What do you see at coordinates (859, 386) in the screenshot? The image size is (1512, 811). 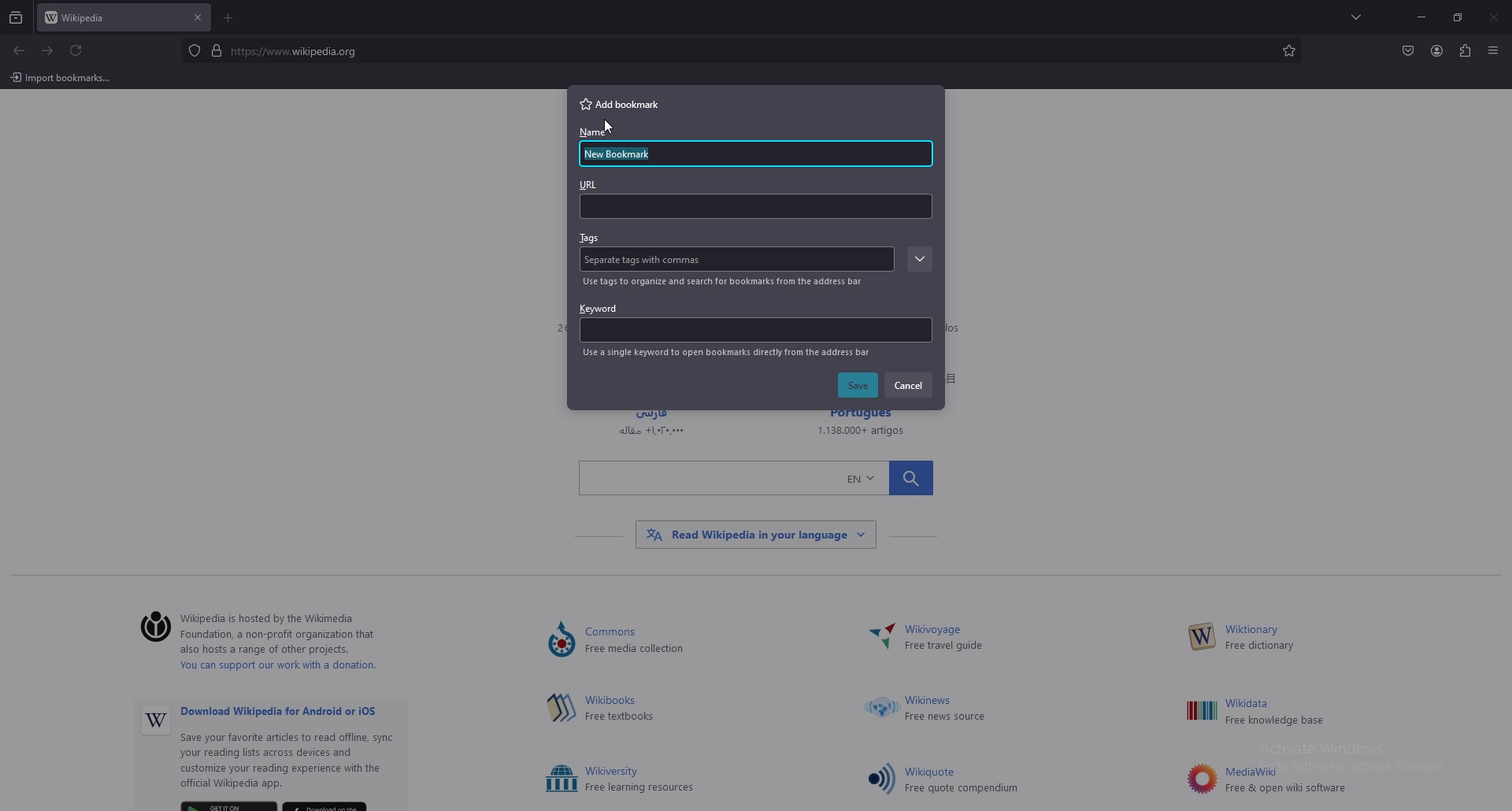 I see `save` at bounding box center [859, 386].